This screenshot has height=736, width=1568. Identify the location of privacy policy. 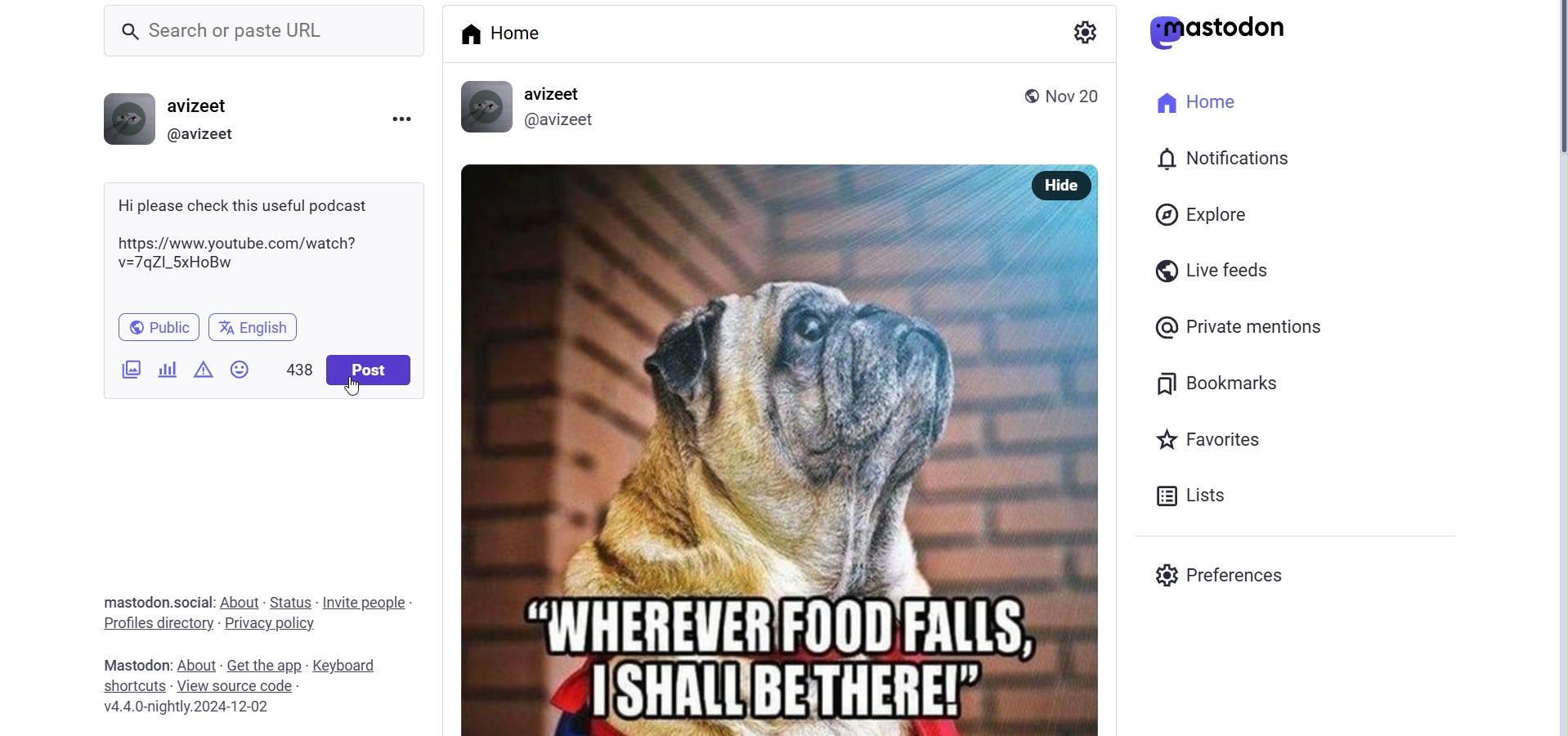
(272, 624).